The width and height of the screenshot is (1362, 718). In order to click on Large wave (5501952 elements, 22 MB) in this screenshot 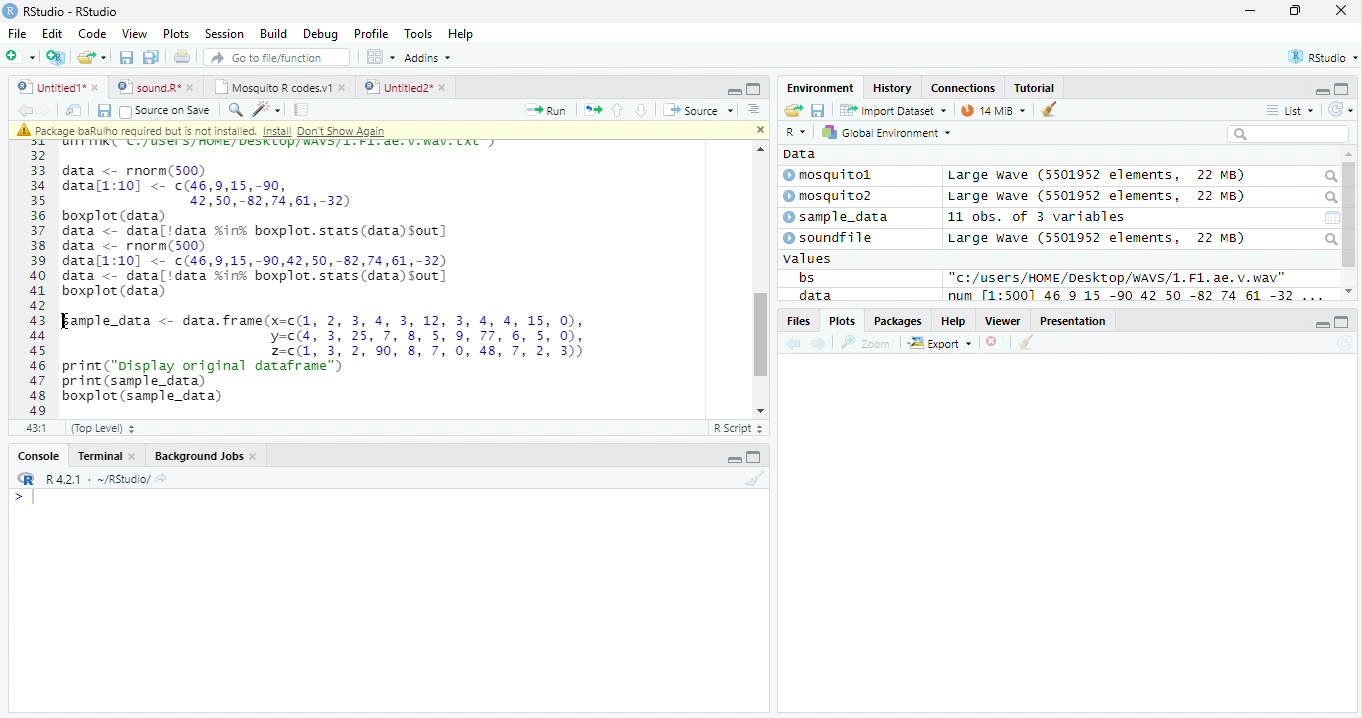, I will do `click(1096, 238)`.